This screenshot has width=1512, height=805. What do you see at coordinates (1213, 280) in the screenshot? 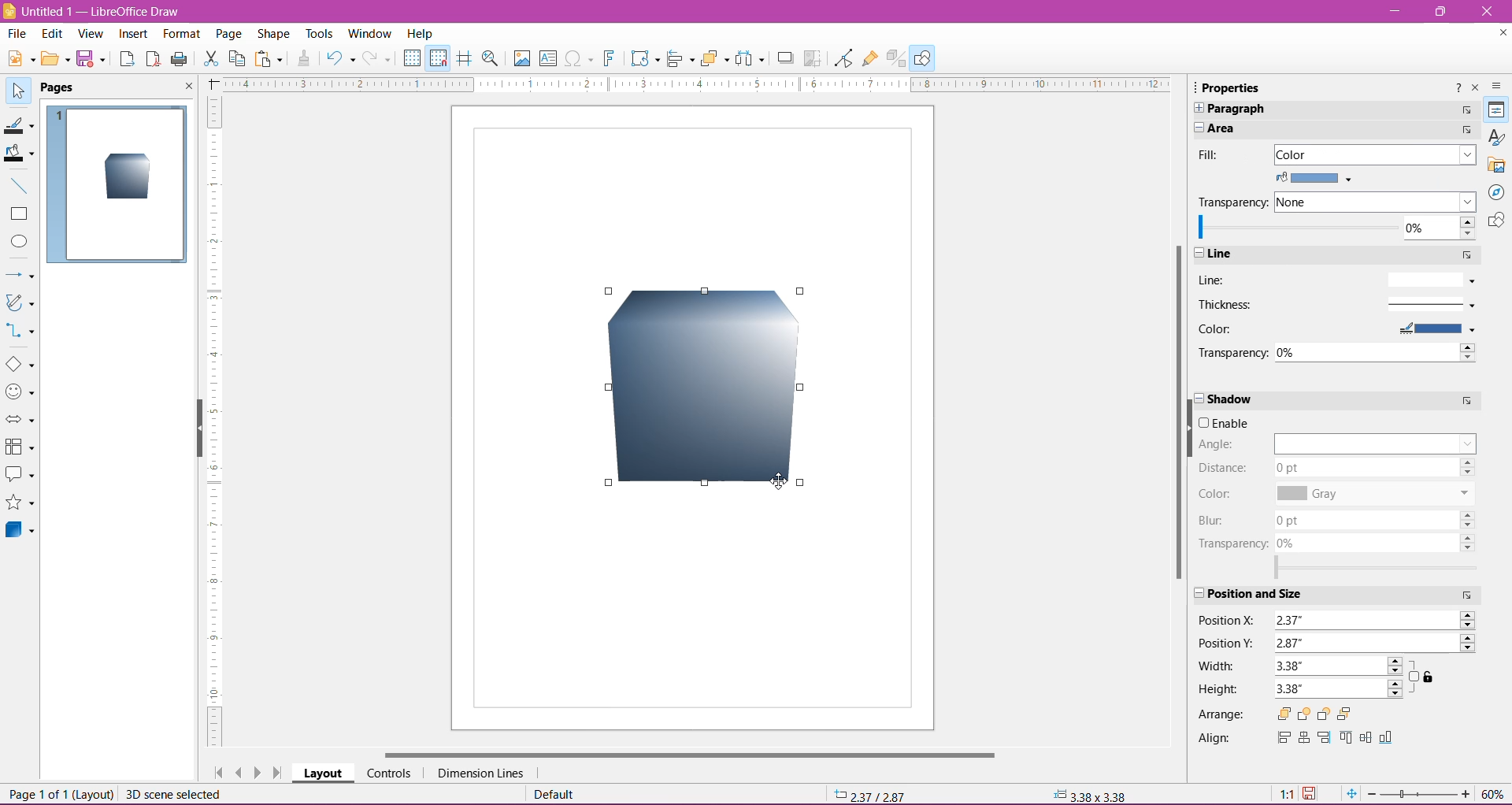
I see `Line` at bounding box center [1213, 280].